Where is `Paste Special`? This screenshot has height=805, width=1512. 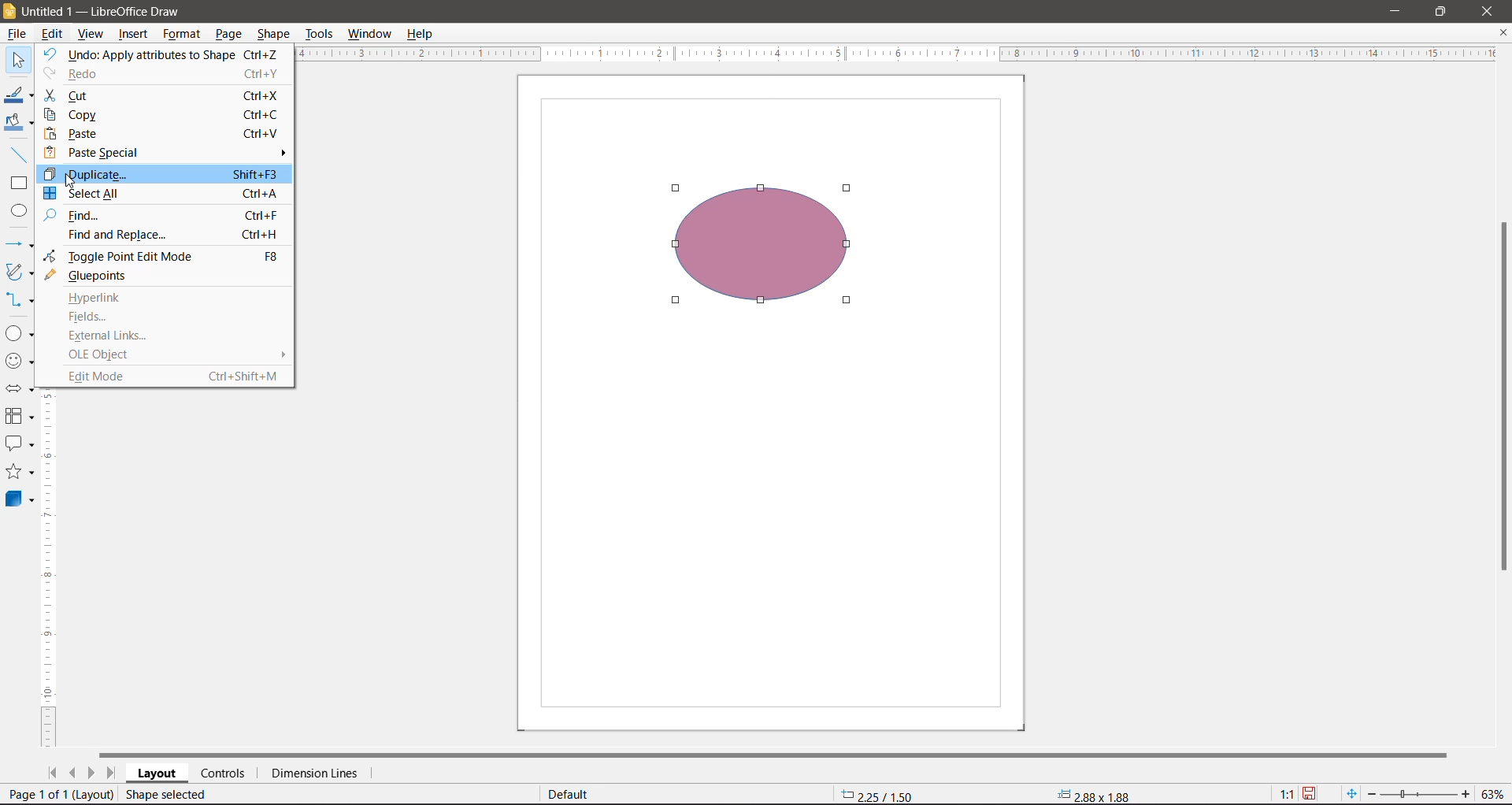
Paste Special is located at coordinates (166, 152).